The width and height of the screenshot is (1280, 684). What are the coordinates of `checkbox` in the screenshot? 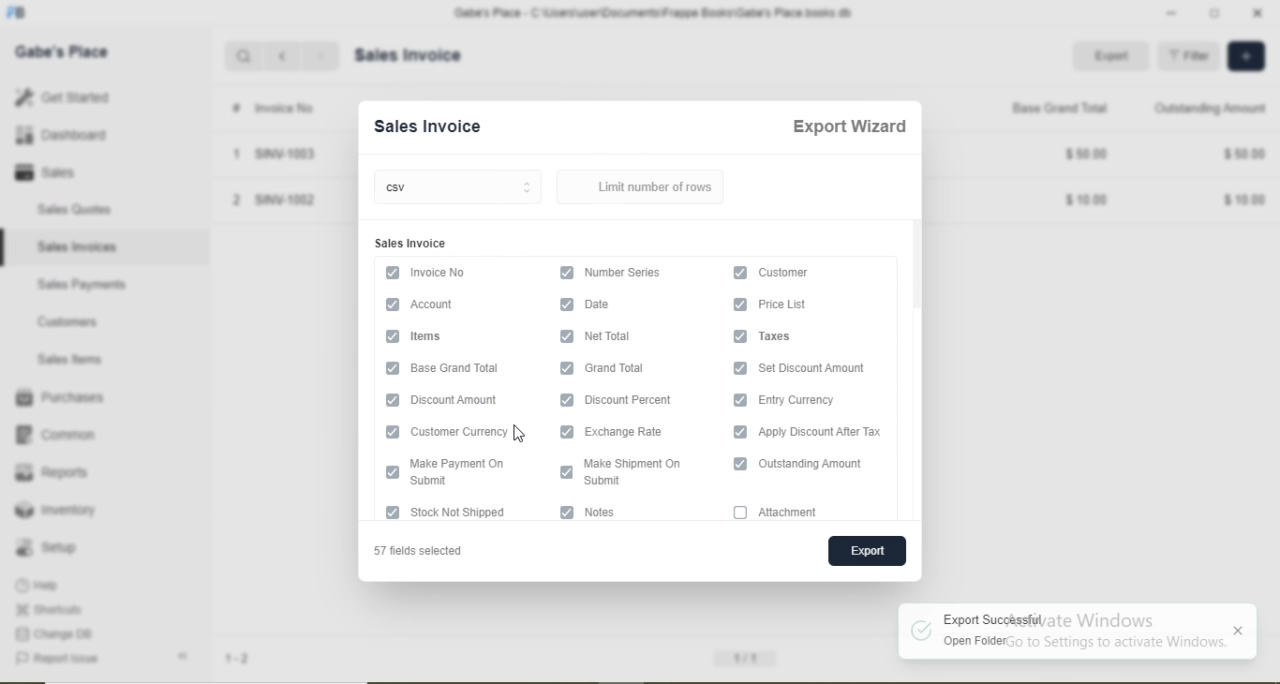 It's located at (738, 367).